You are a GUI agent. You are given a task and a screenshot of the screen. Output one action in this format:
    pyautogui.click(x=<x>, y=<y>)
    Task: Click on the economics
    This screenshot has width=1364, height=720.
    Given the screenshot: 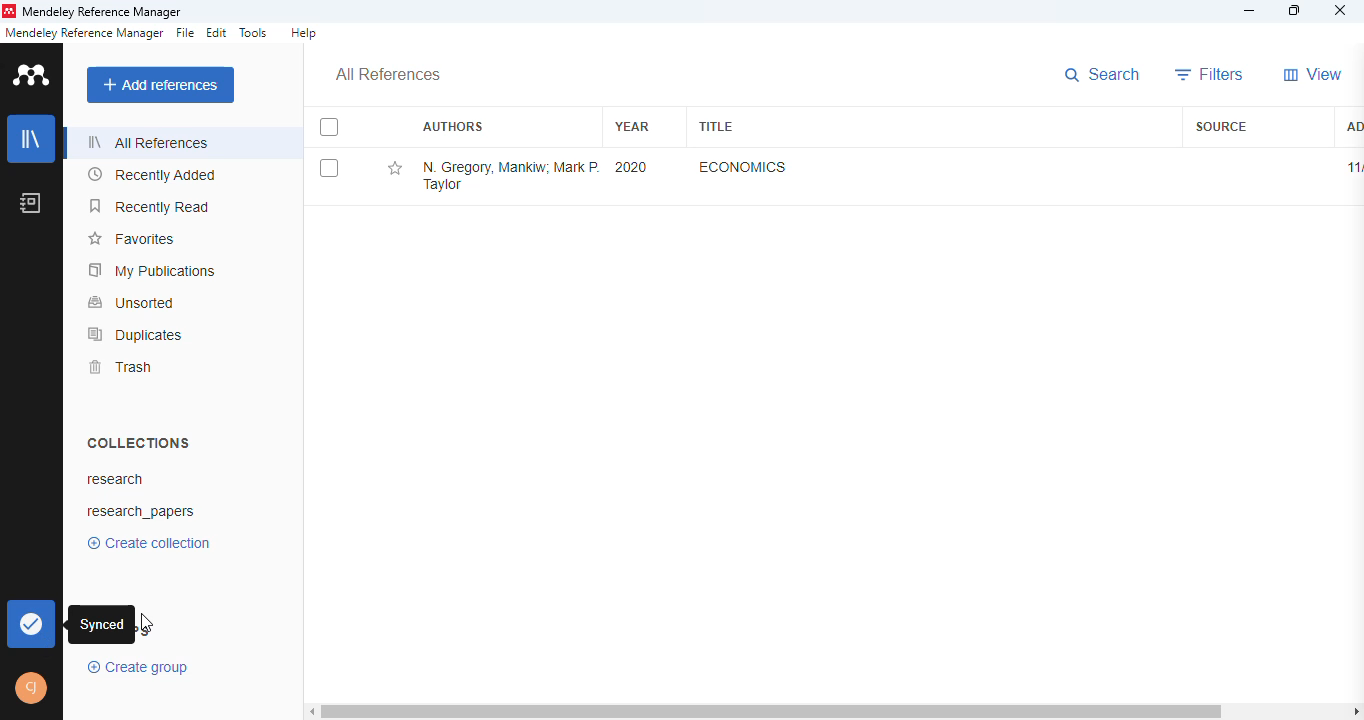 What is the action you would take?
    pyautogui.click(x=743, y=167)
    